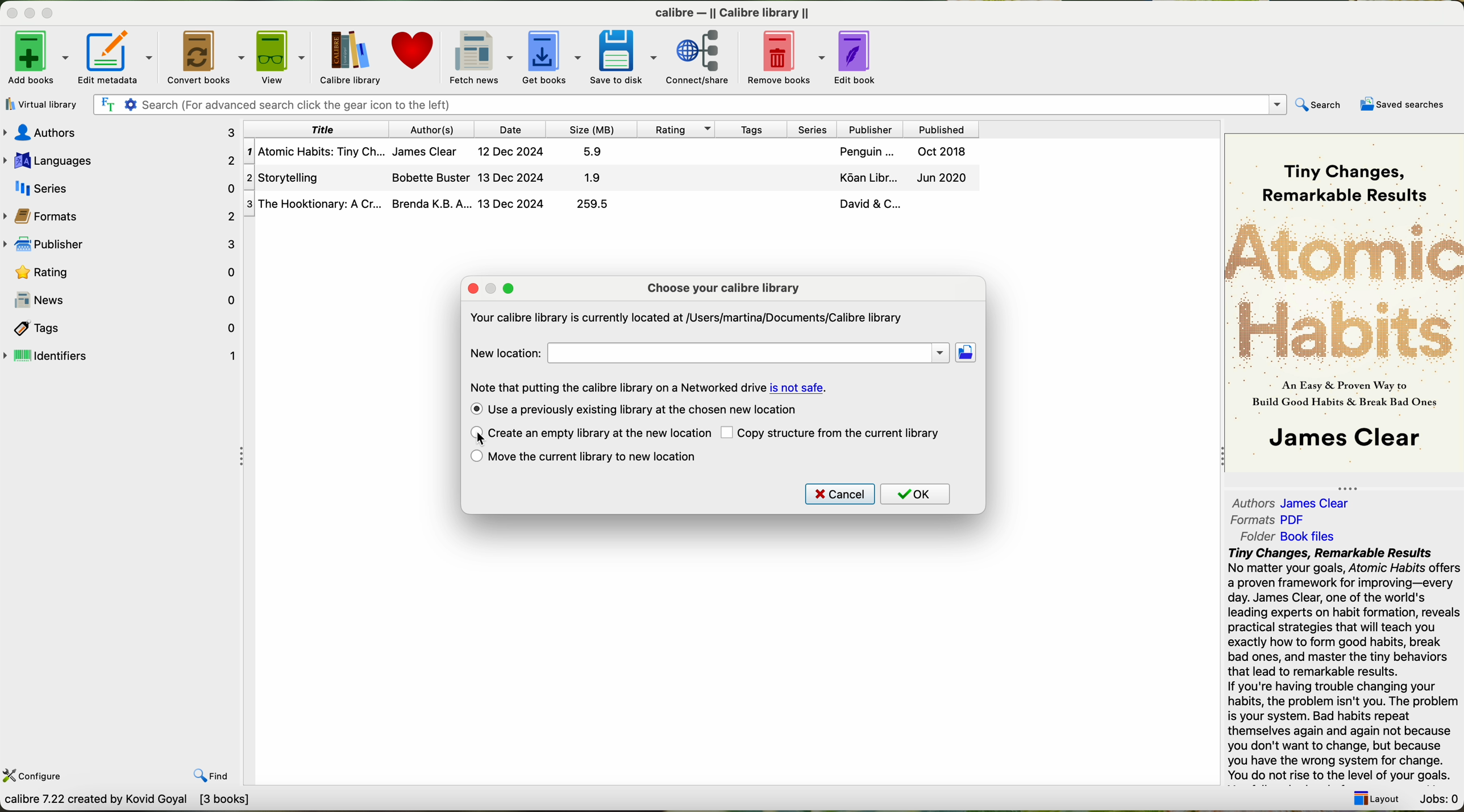  What do you see at coordinates (202, 767) in the screenshot?
I see `find` at bounding box center [202, 767].